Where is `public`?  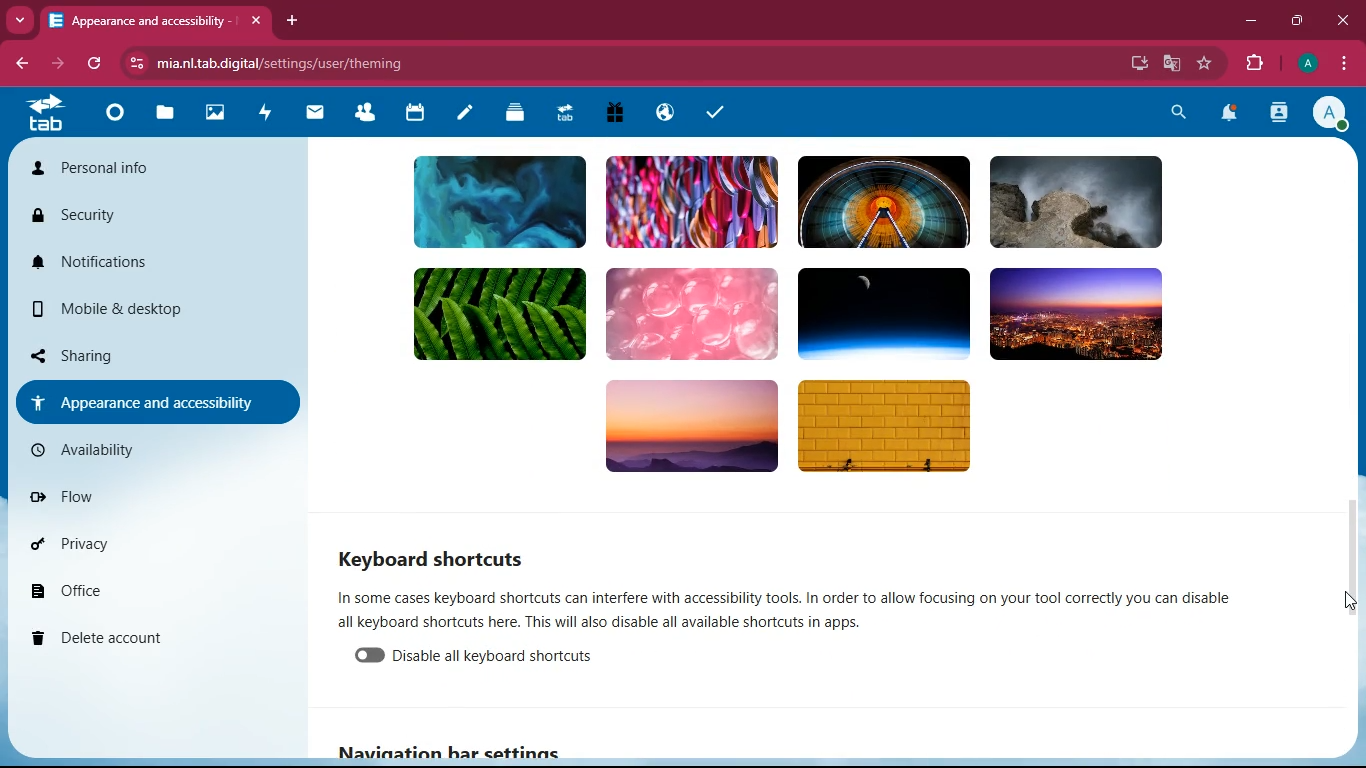 public is located at coordinates (668, 113).